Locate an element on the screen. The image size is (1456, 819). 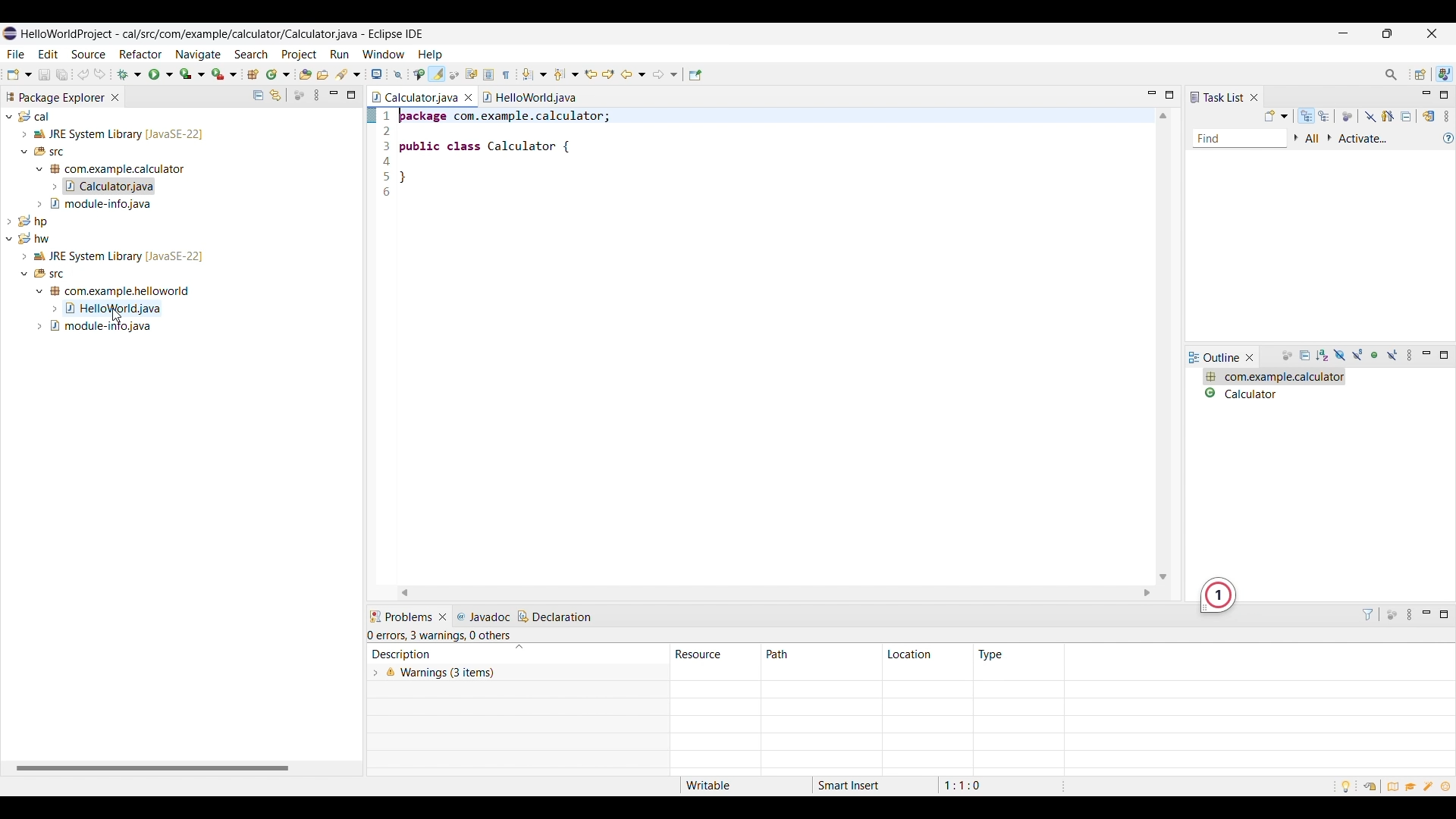
View menu is located at coordinates (1411, 615).